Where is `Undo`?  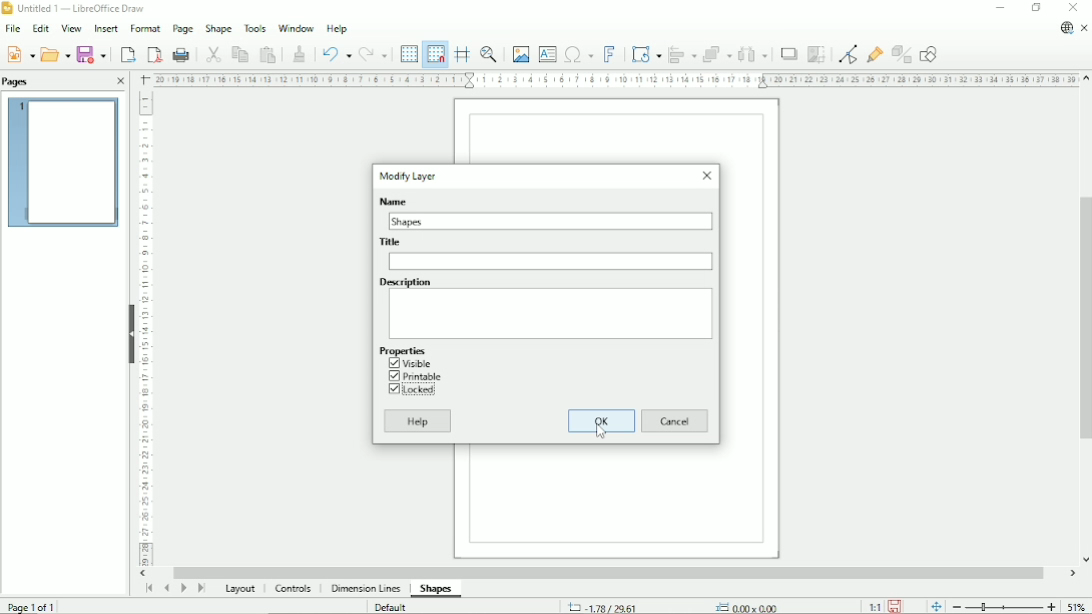
Undo is located at coordinates (335, 52).